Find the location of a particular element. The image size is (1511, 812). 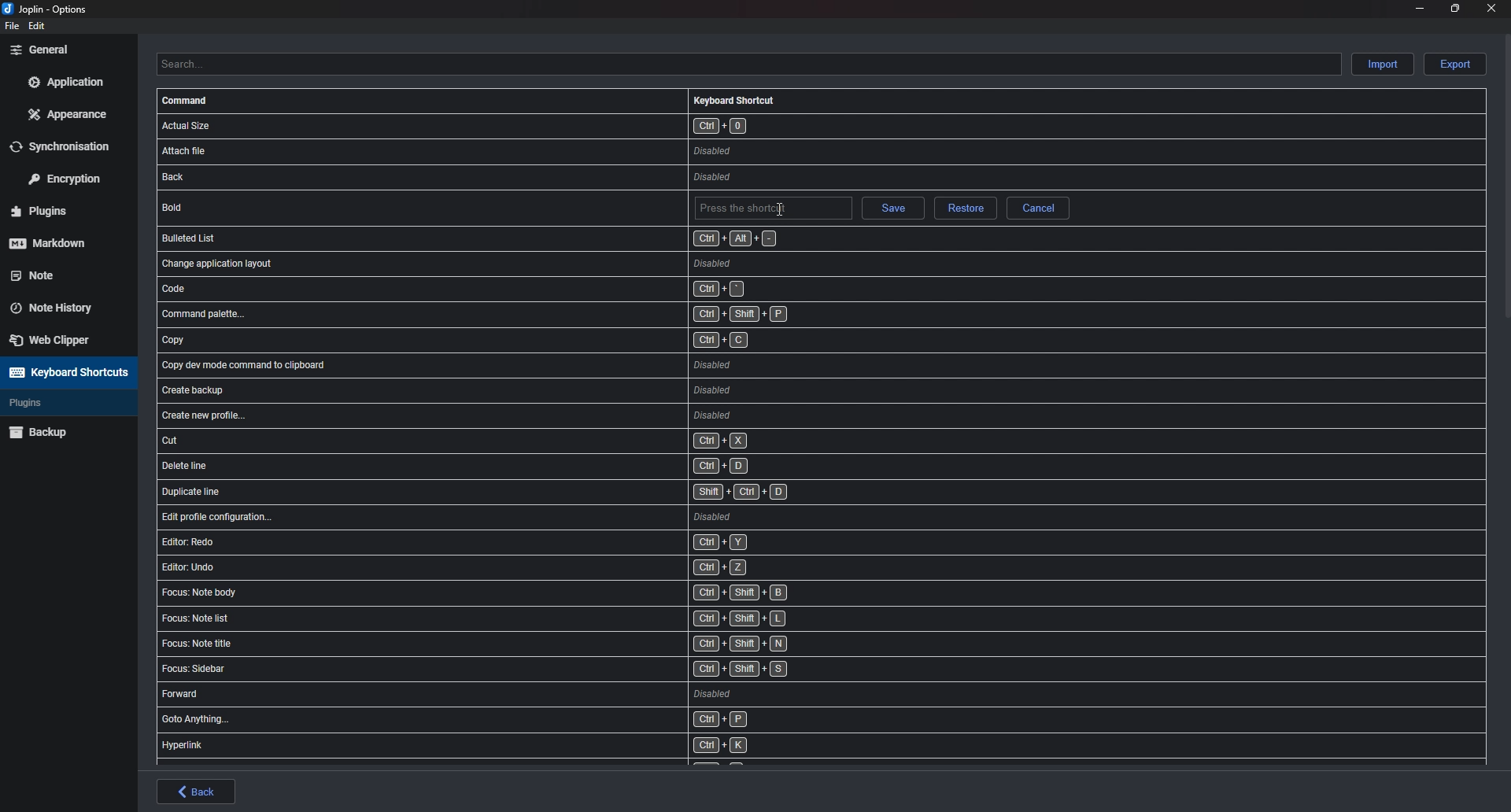

General is located at coordinates (65, 49).